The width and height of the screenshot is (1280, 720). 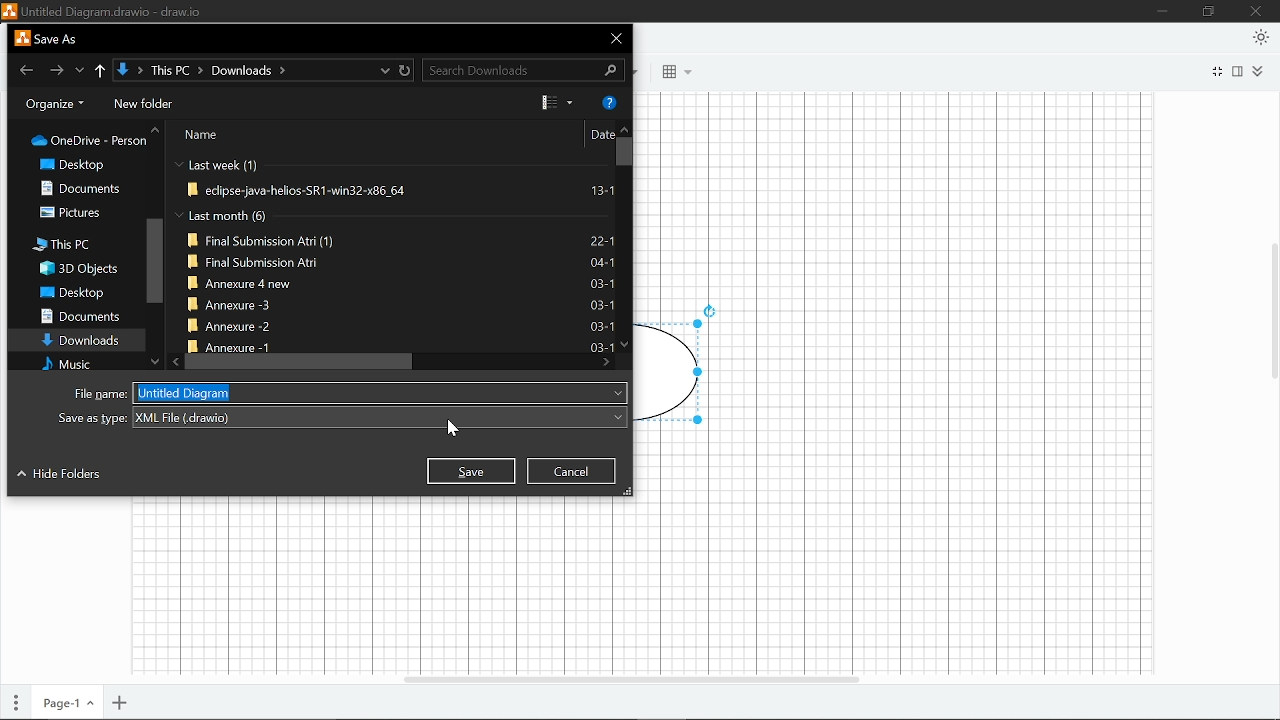 What do you see at coordinates (607, 102) in the screenshot?
I see `Help` at bounding box center [607, 102].